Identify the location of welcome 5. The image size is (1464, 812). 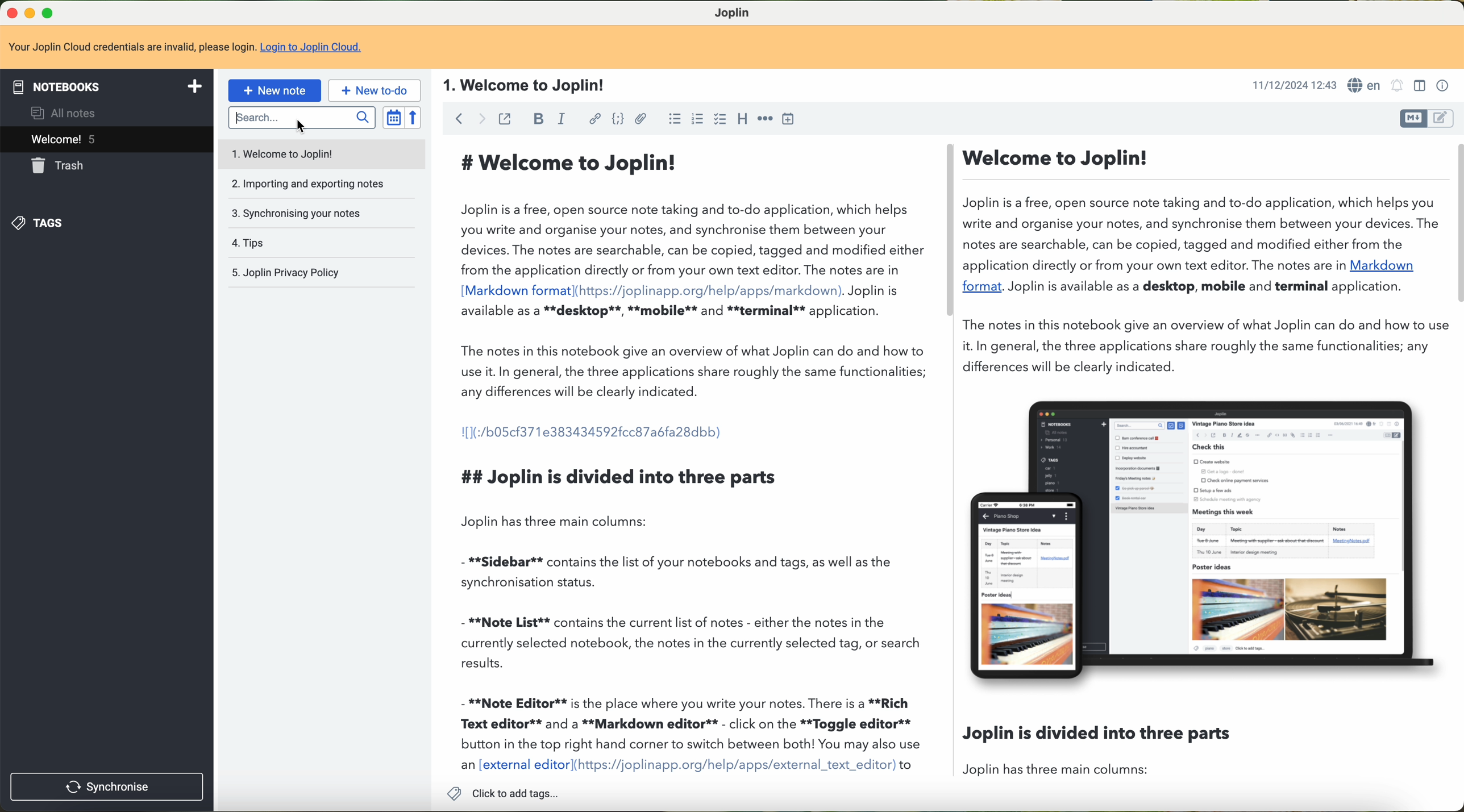
(106, 139).